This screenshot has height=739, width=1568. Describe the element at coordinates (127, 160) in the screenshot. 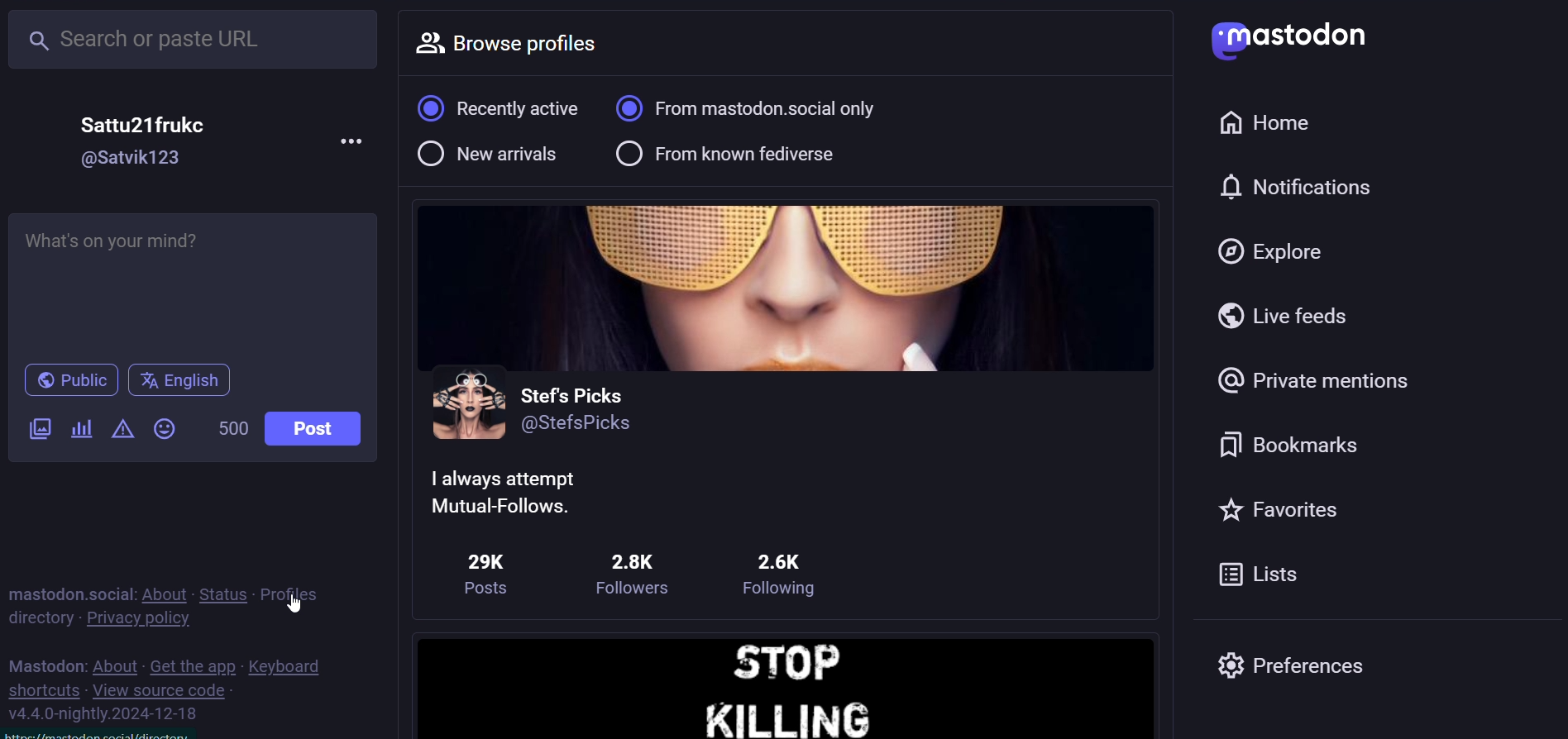

I see `id` at that location.